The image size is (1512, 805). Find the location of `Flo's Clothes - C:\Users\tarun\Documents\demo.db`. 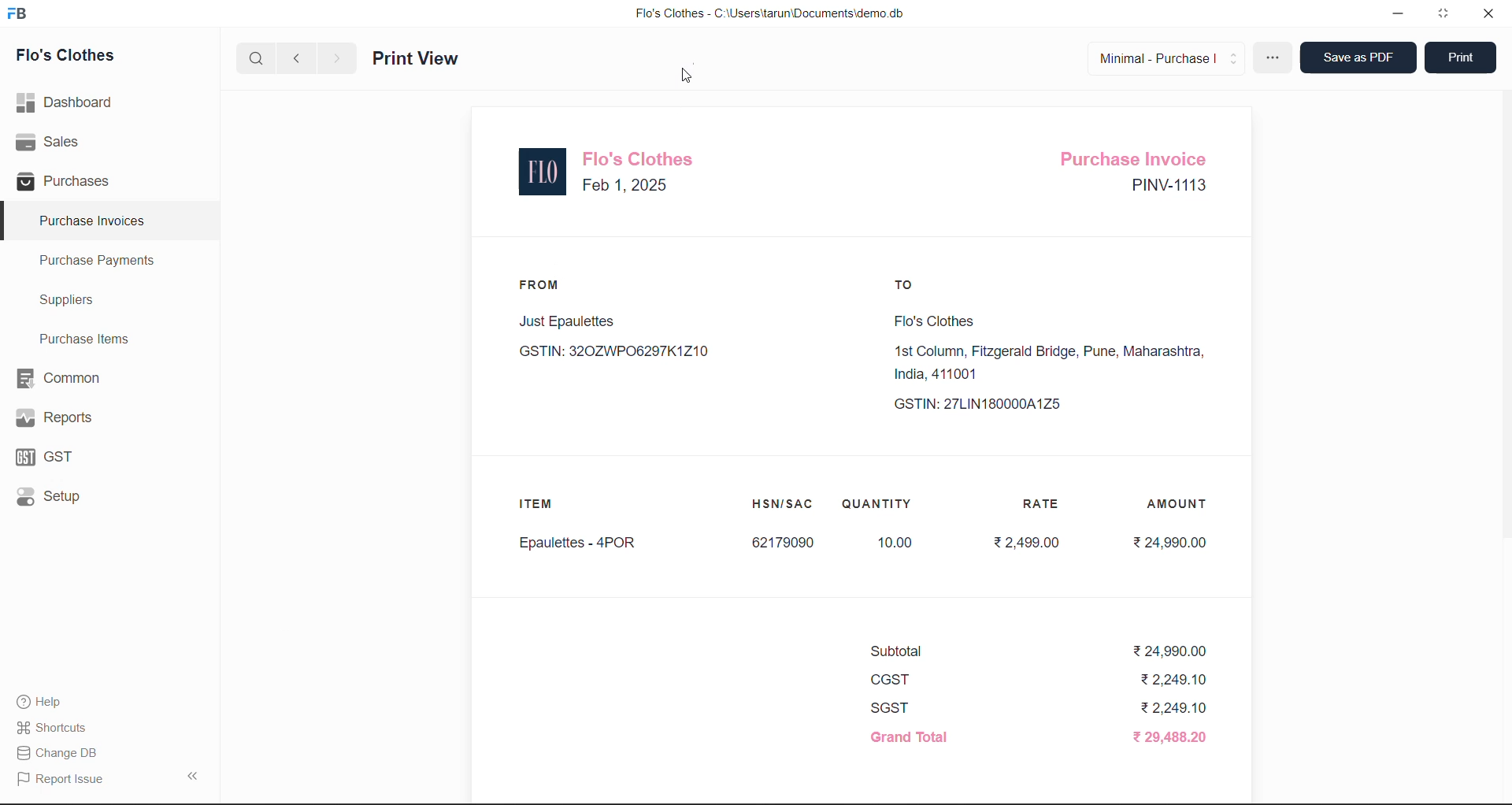

Flo's Clothes - C:\Users\tarun\Documents\demo.db is located at coordinates (769, 15).